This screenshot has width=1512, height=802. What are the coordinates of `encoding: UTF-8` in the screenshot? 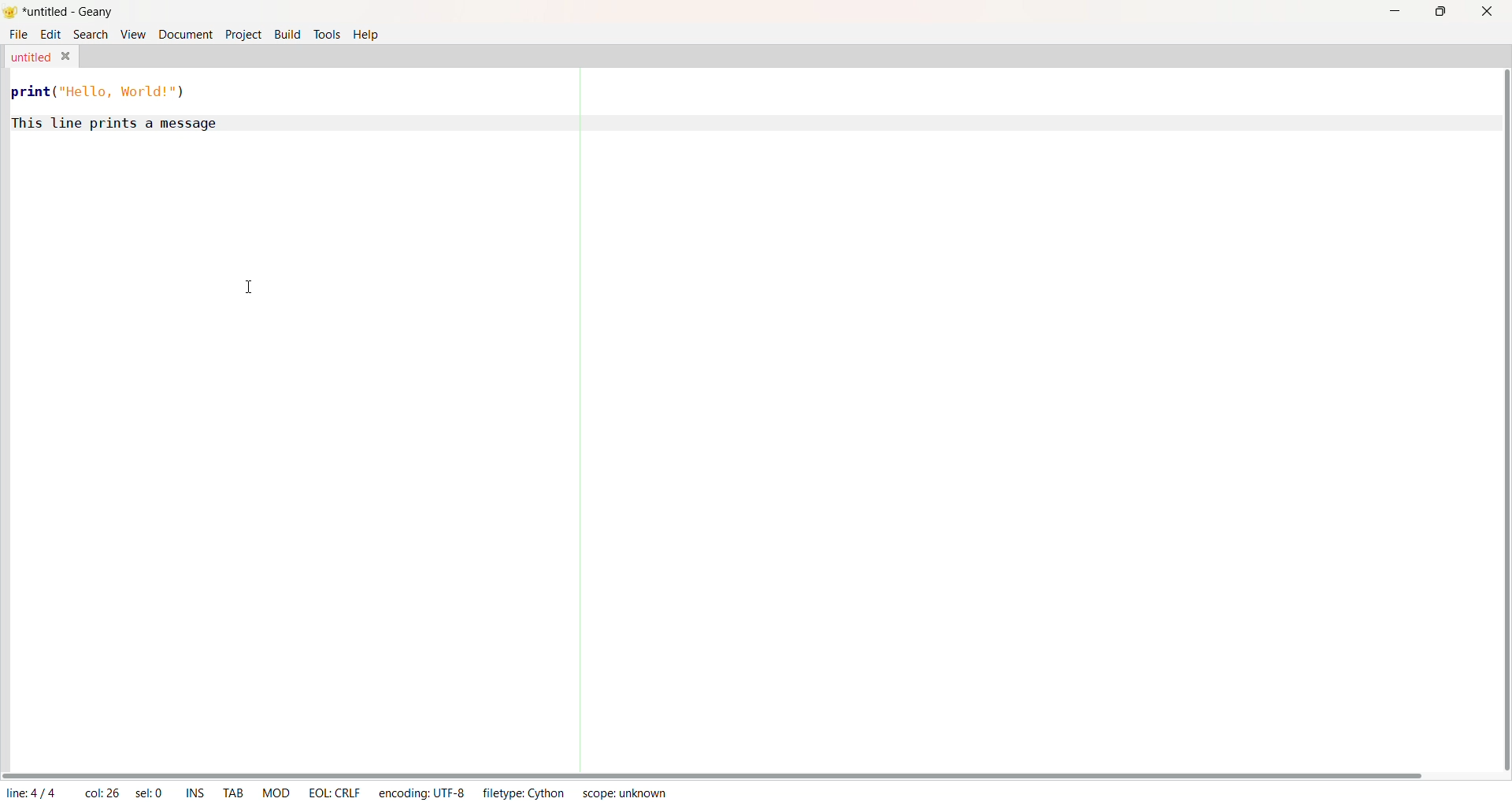 It's located at (421, 793).